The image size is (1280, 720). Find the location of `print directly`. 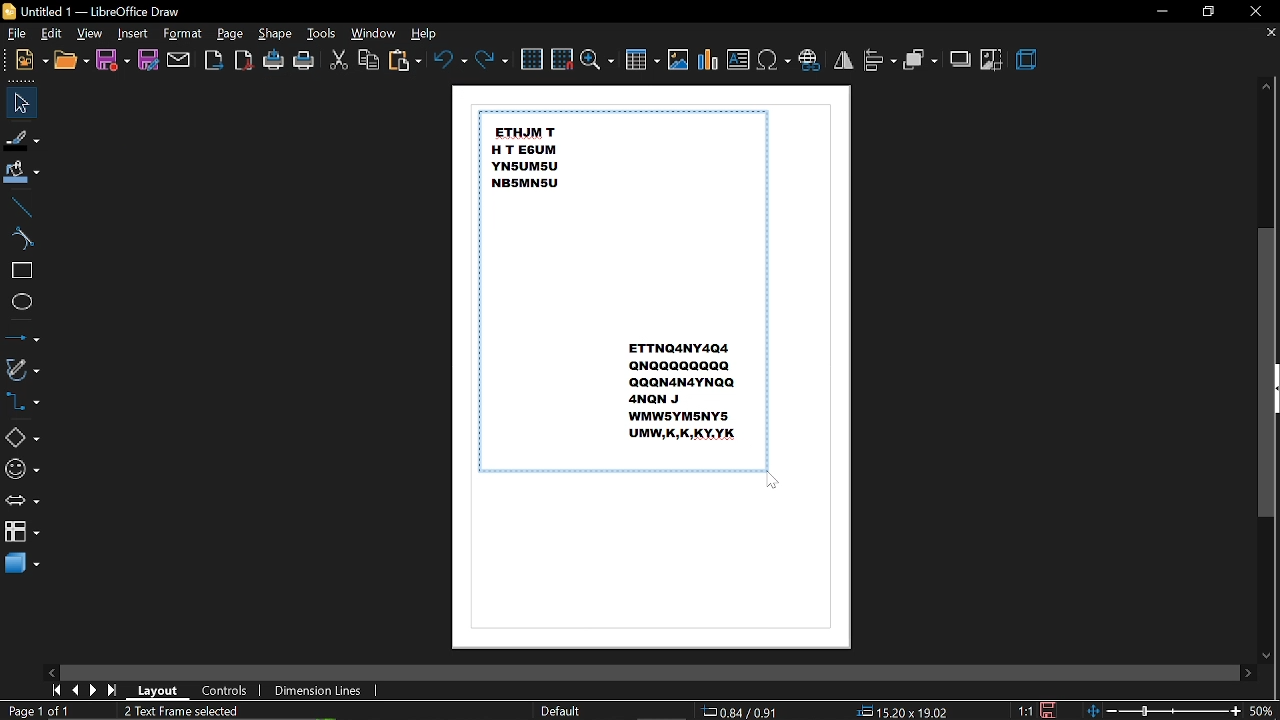

print directly is located at coordinates (274, 61).